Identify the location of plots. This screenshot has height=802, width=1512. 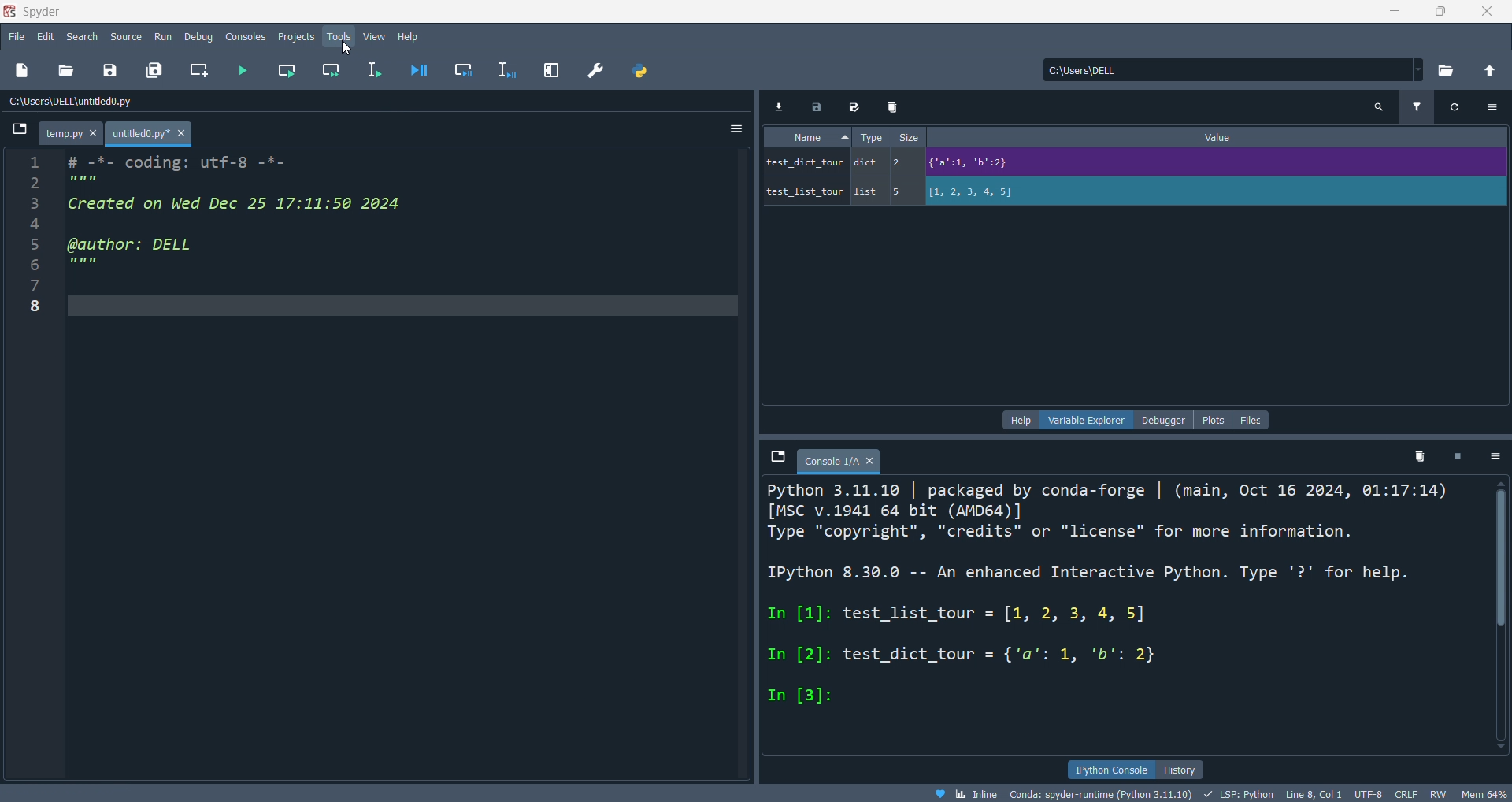
(1216, 418).